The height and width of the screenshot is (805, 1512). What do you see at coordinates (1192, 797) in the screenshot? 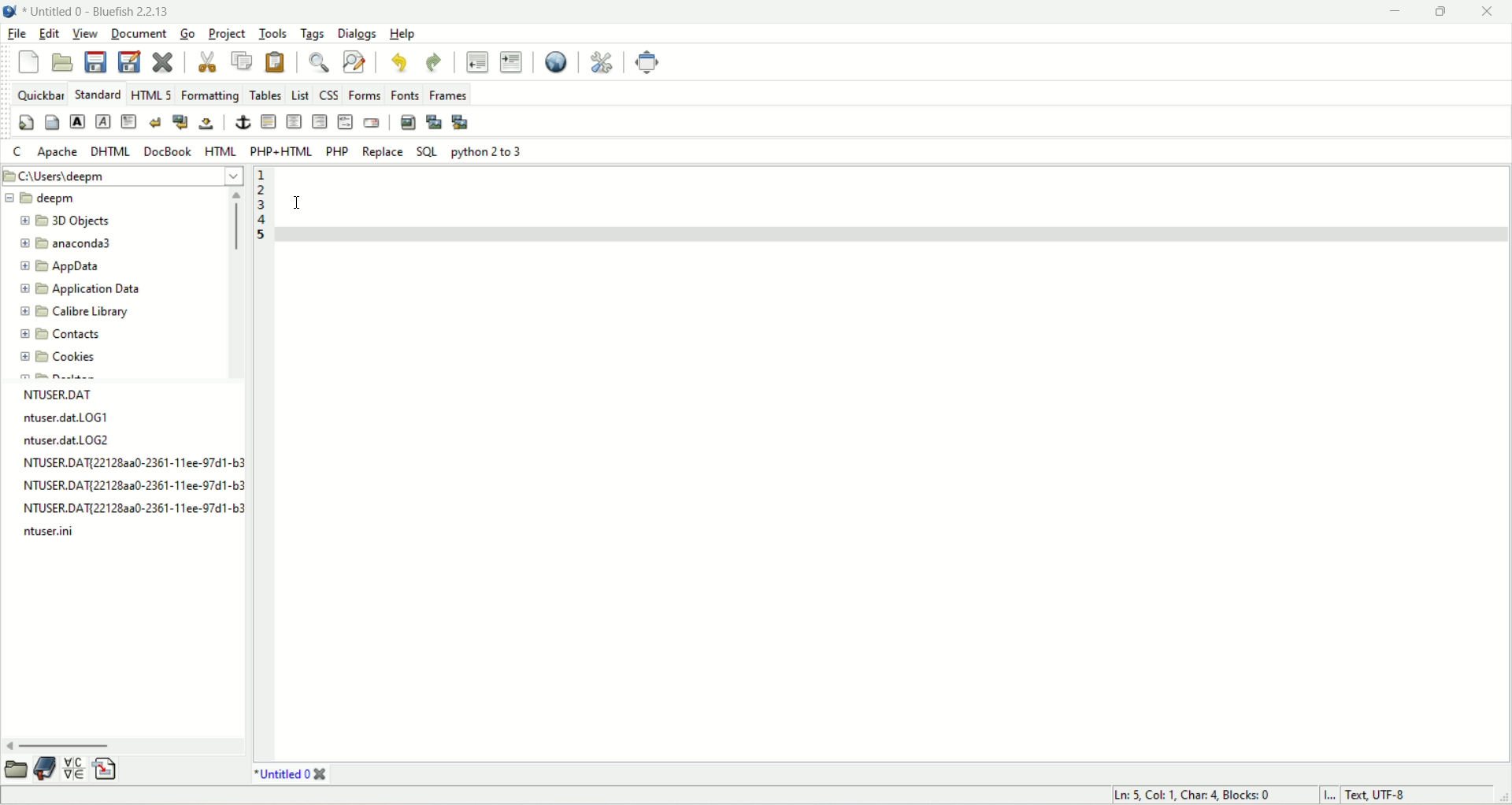
I see `ln, col, char, block` at bounding box center [1192, 797].